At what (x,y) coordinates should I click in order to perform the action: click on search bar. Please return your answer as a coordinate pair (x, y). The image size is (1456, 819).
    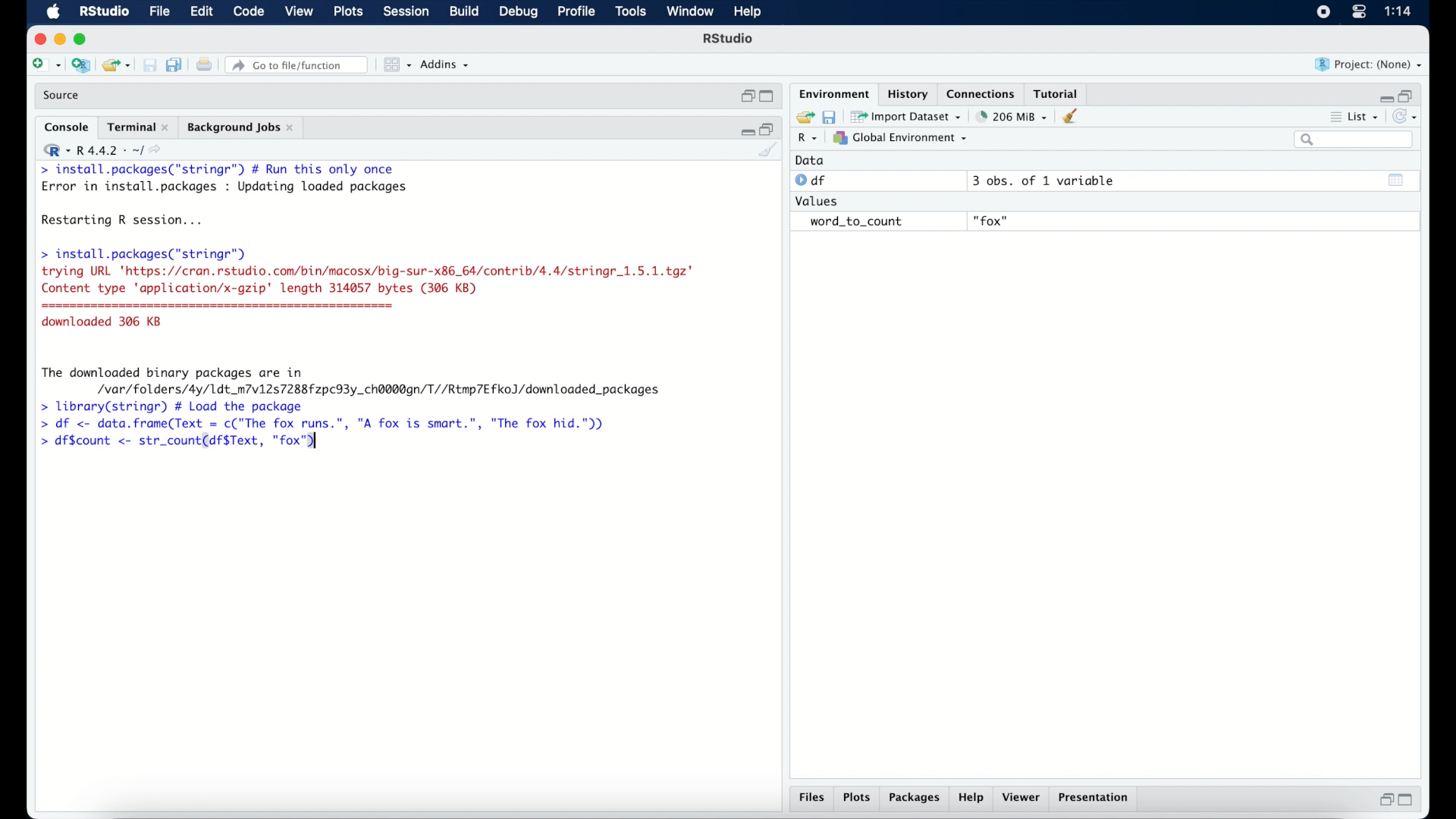
    Looking at the image, I should click on (1356, 140).